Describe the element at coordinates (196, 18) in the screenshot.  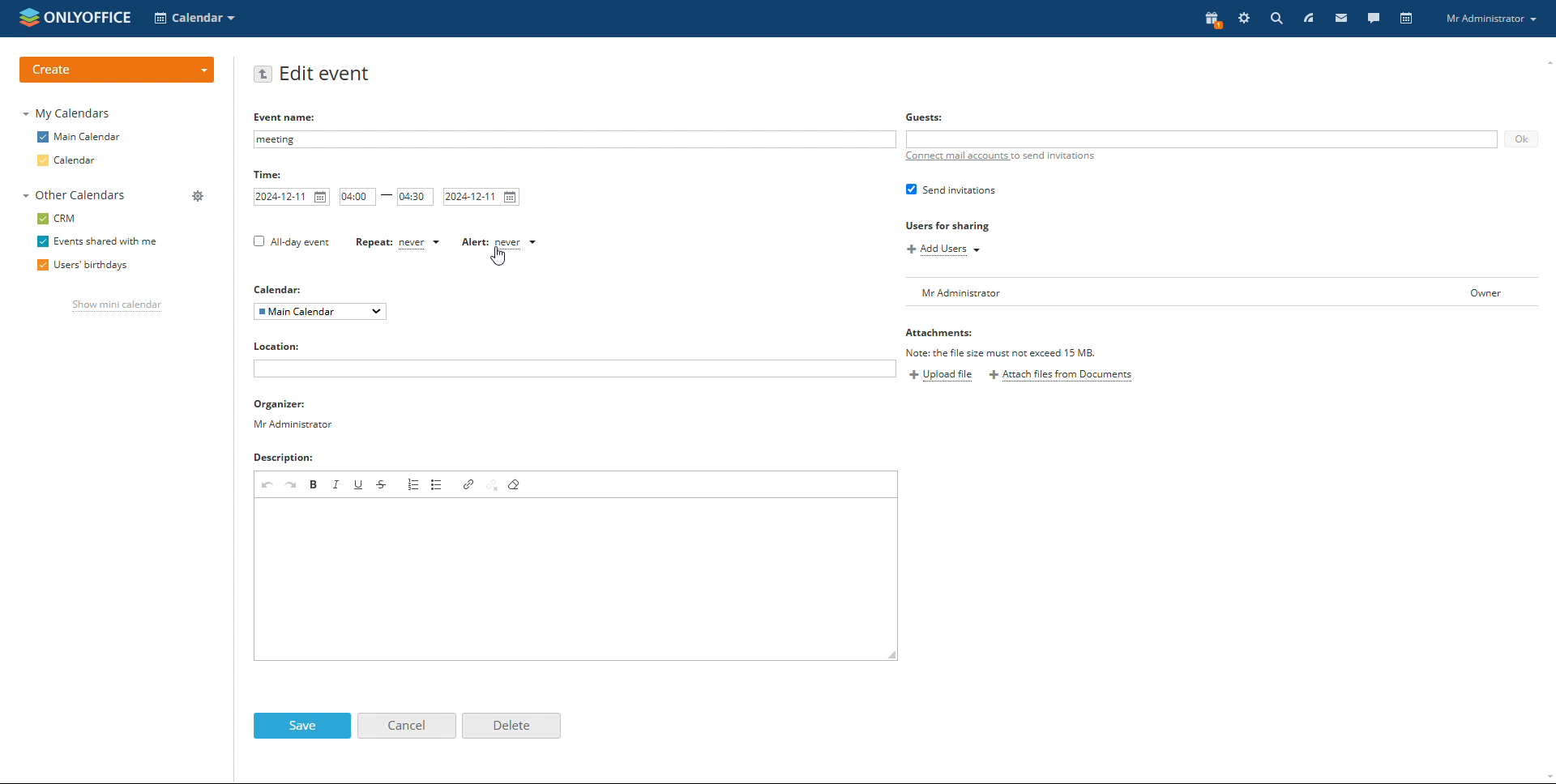
I see `select application` at that location.